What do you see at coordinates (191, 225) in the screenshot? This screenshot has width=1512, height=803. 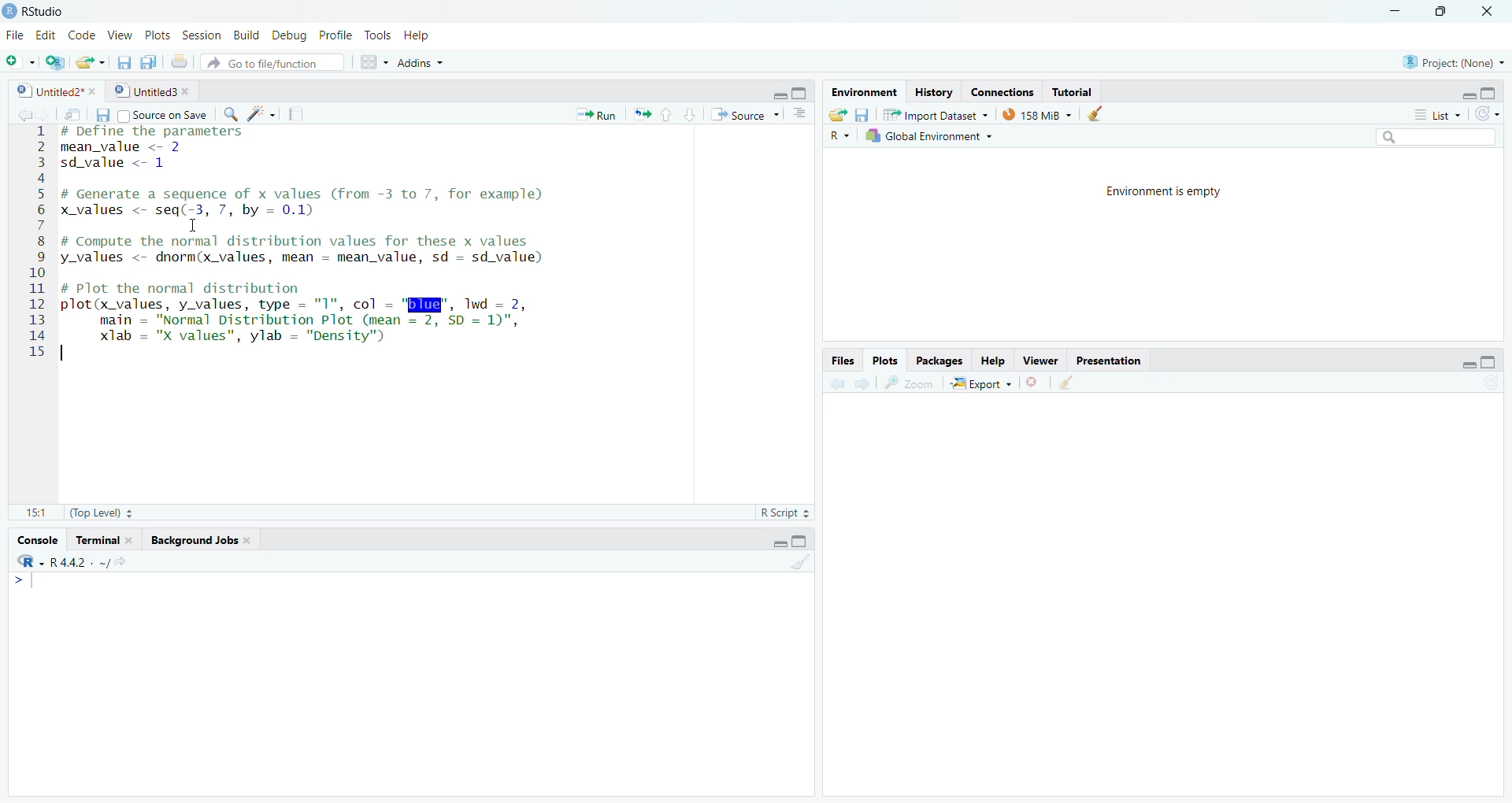 I see `text cursor` at bounding box center [191, 225].